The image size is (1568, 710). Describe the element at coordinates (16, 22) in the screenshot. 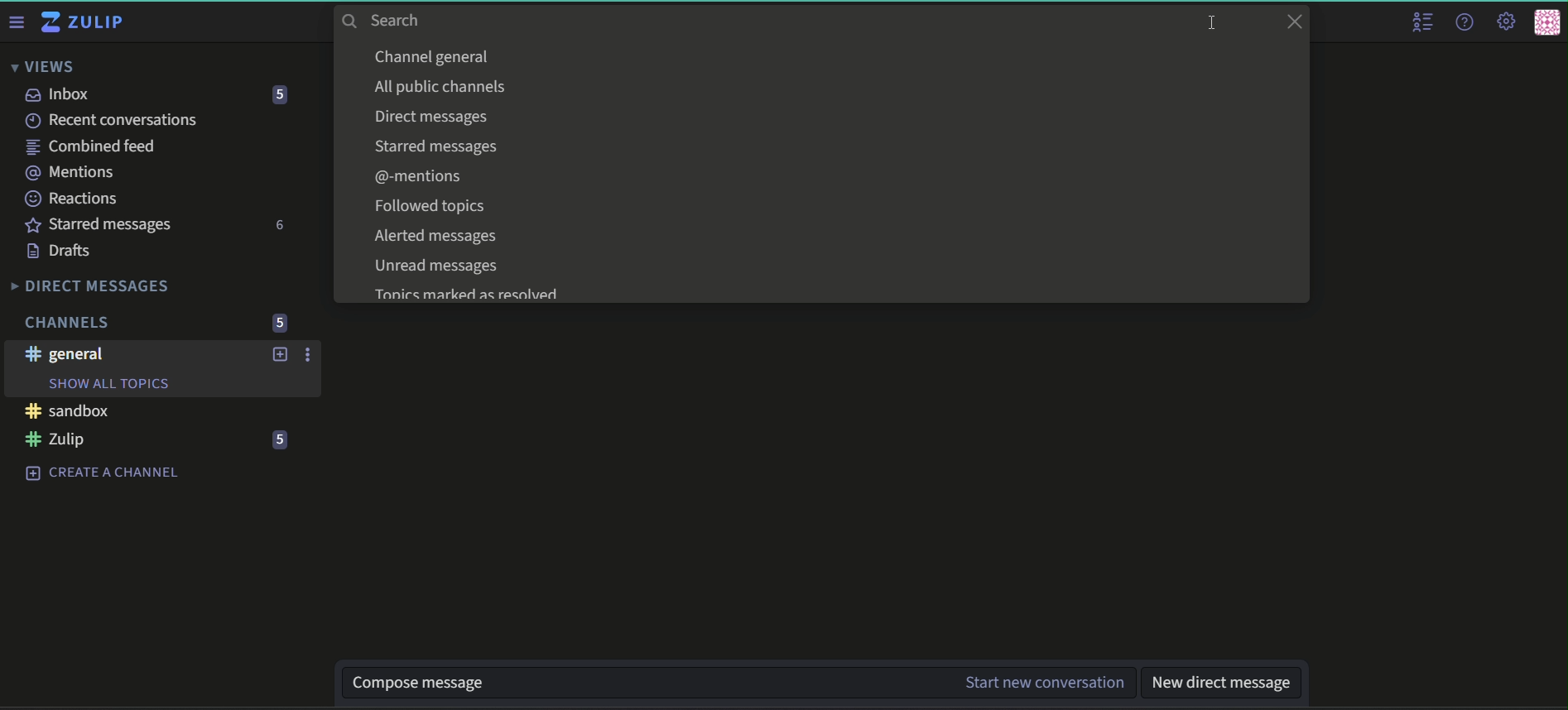

I see `Menu` at that location.